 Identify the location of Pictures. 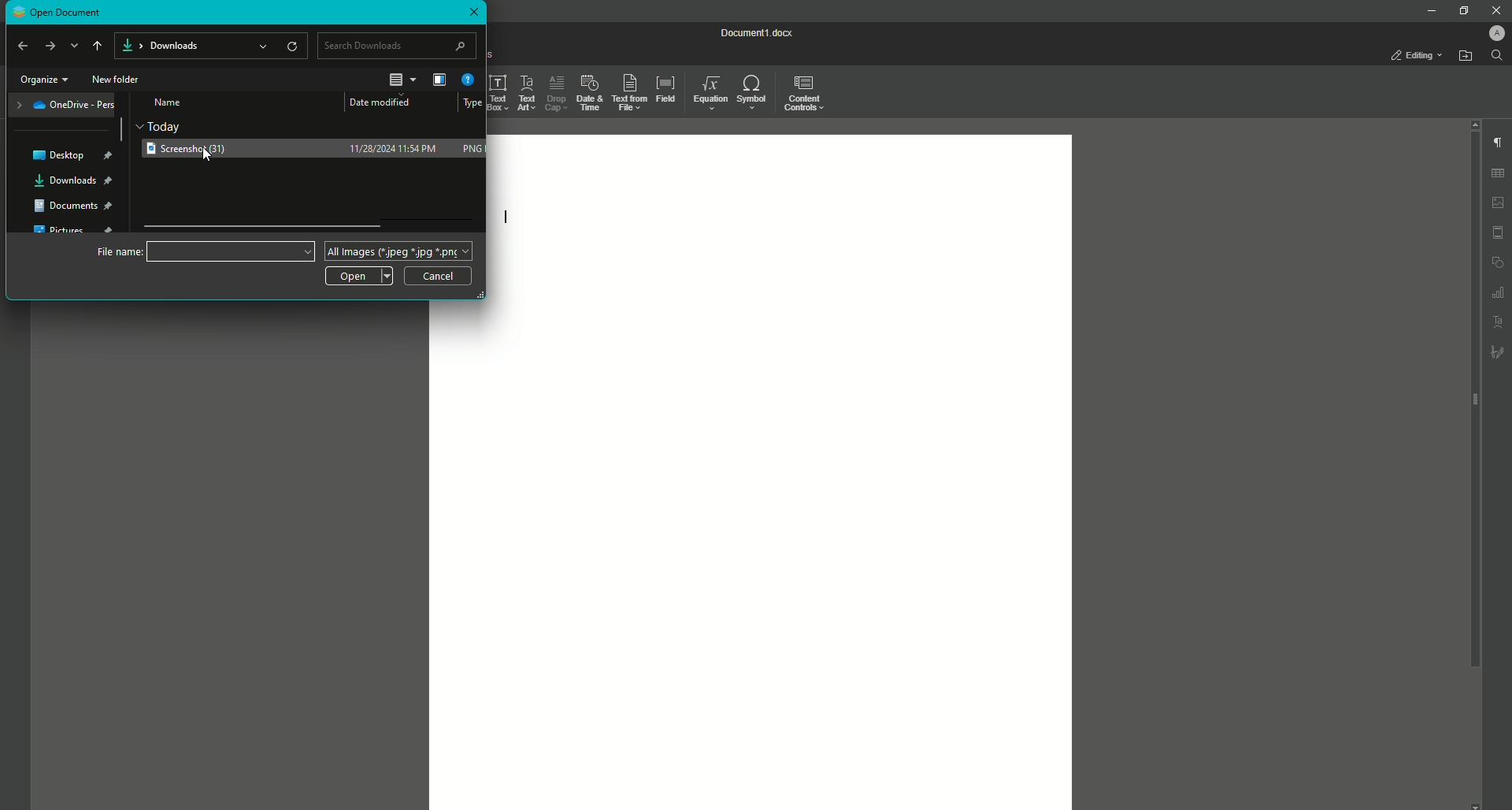
(73, 230).